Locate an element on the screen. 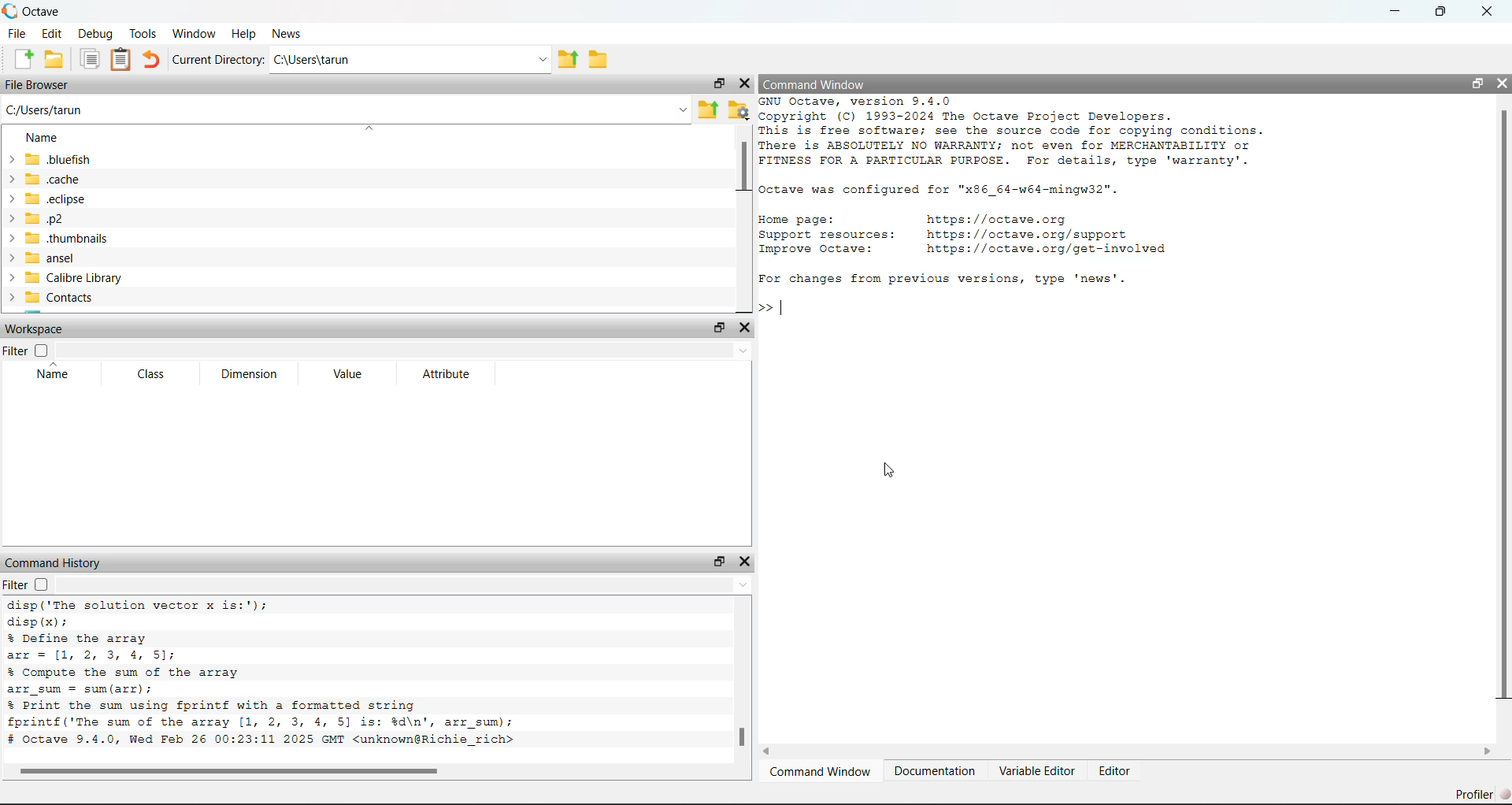  Dimension is located at coordinates (257, 374).